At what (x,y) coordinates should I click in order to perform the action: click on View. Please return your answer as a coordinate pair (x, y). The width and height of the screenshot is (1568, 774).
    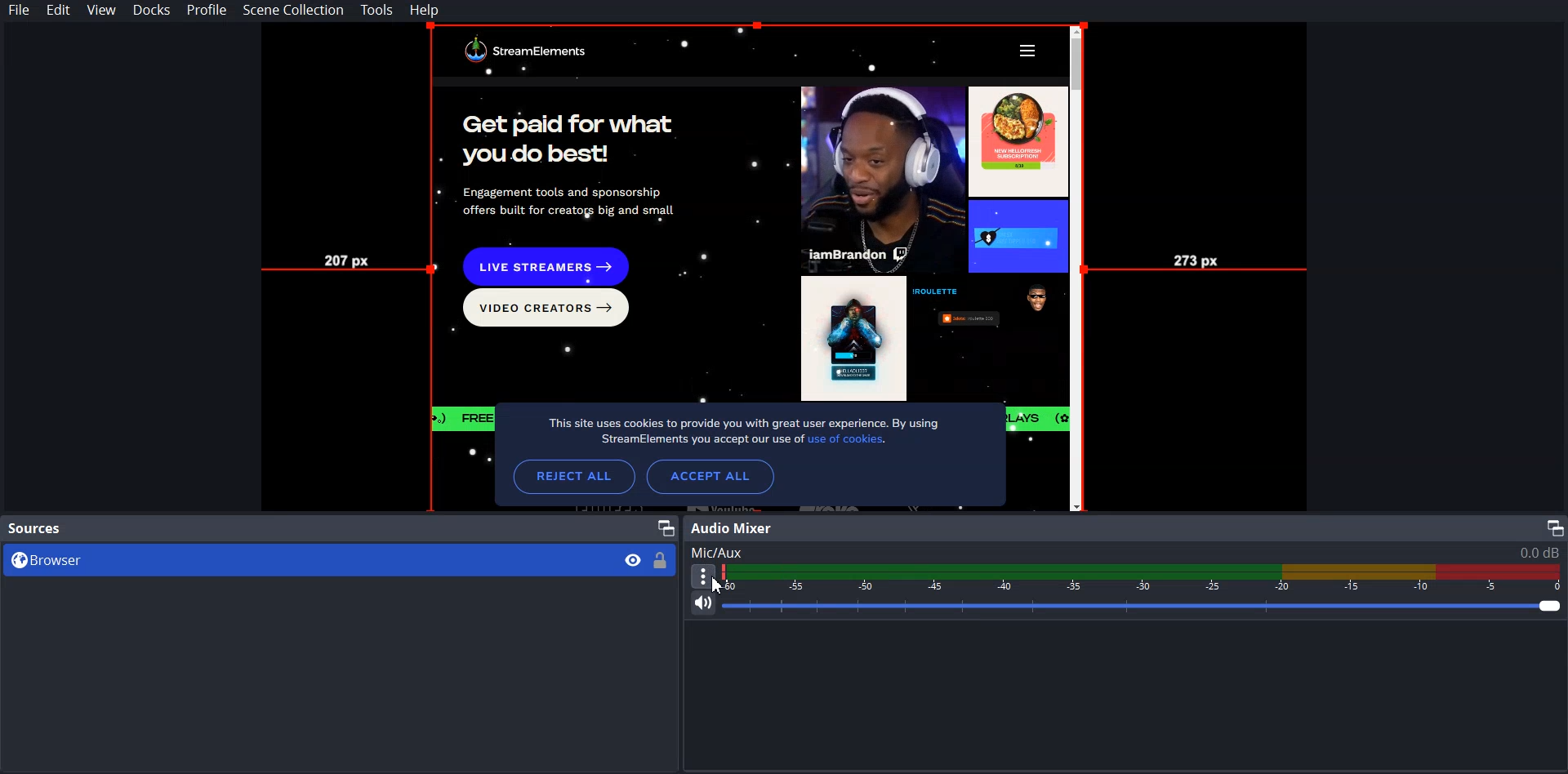
    Looking at the image, I should click on (100, 11).